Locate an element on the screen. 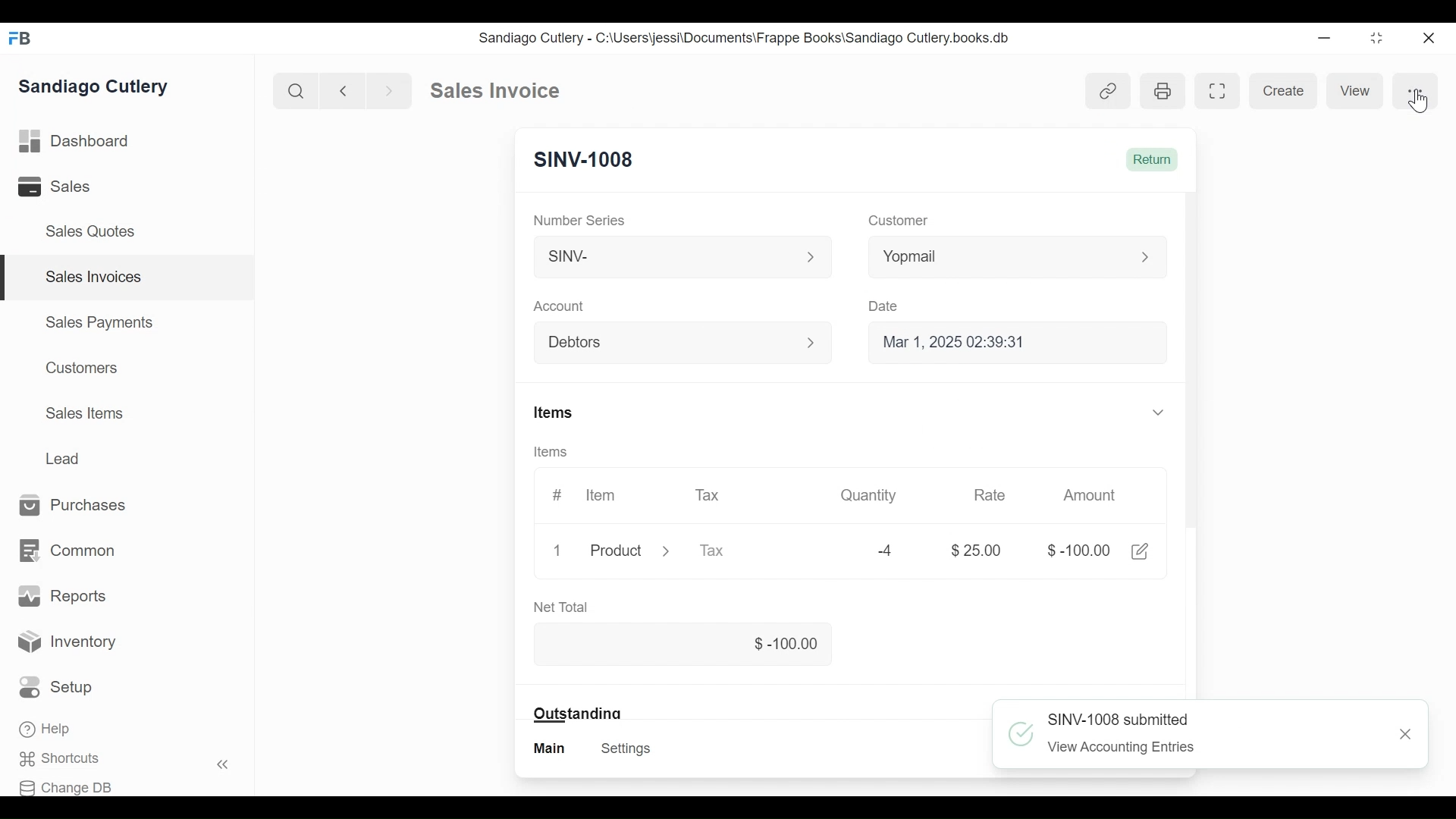 This screenshot has width=1456, height=819. Tax is located at coordinates (710, 496).